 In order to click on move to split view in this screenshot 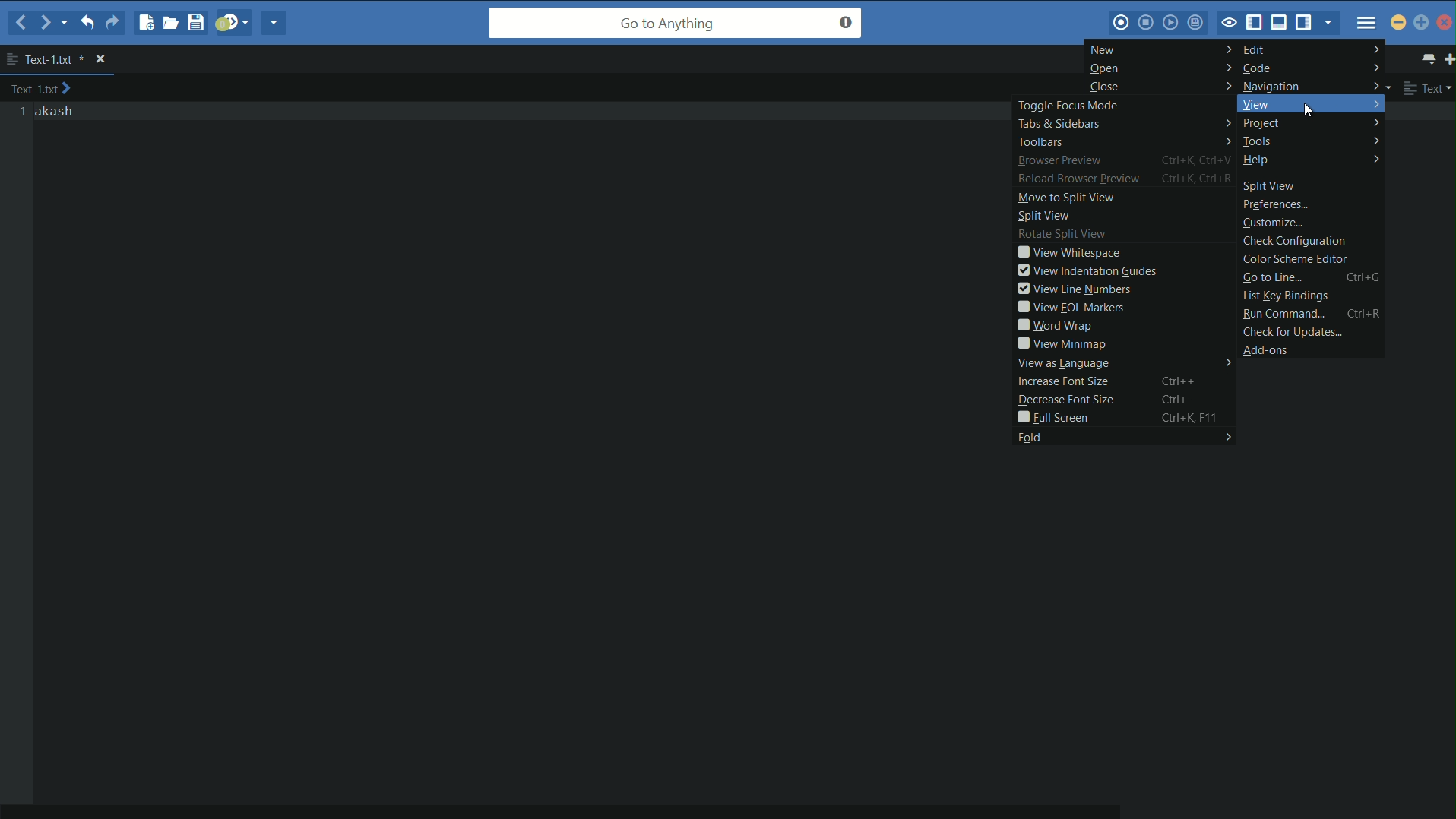, I will do `click(1126, 196)`.